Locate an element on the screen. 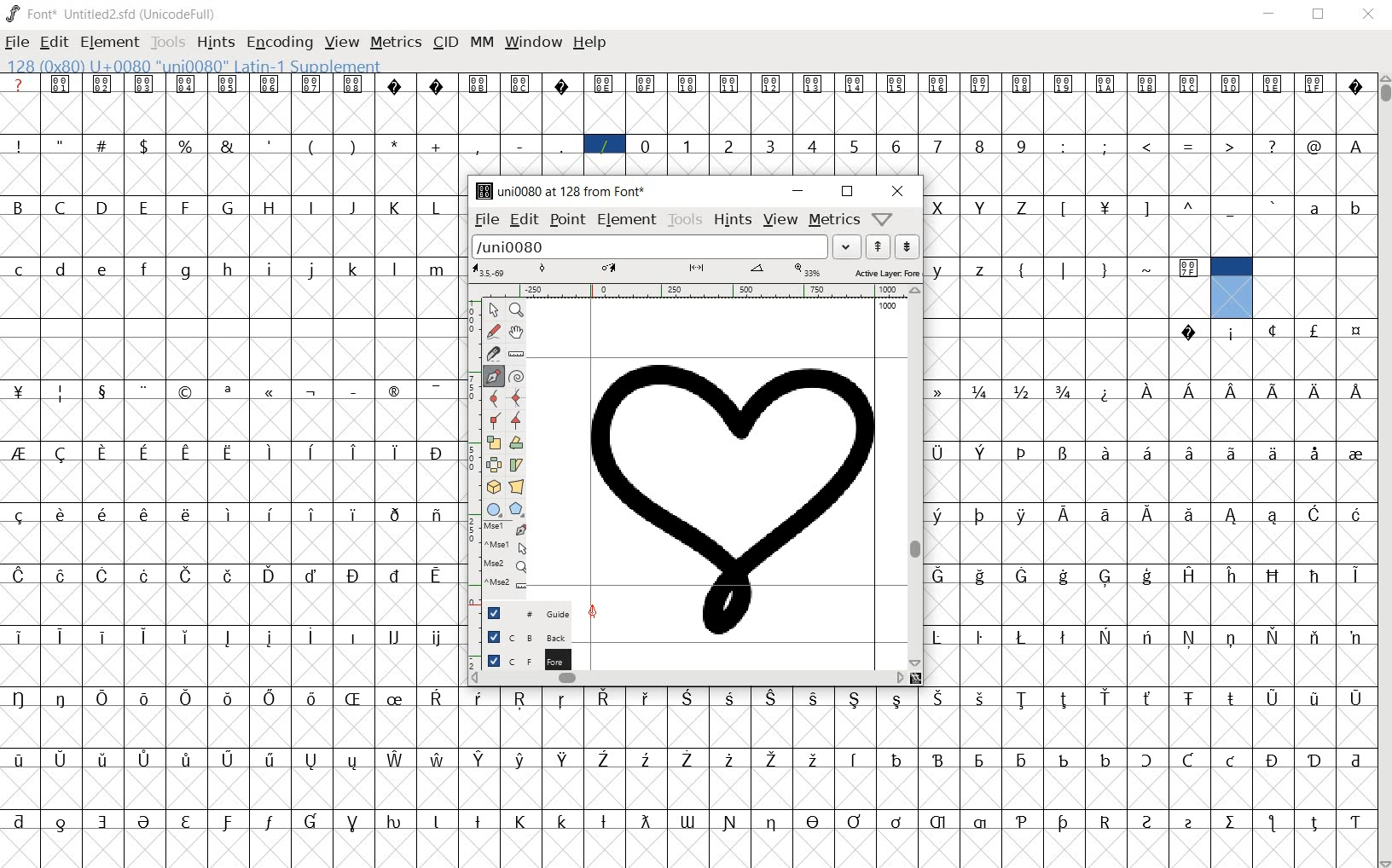  glyph is located at coordinates (393, 822).